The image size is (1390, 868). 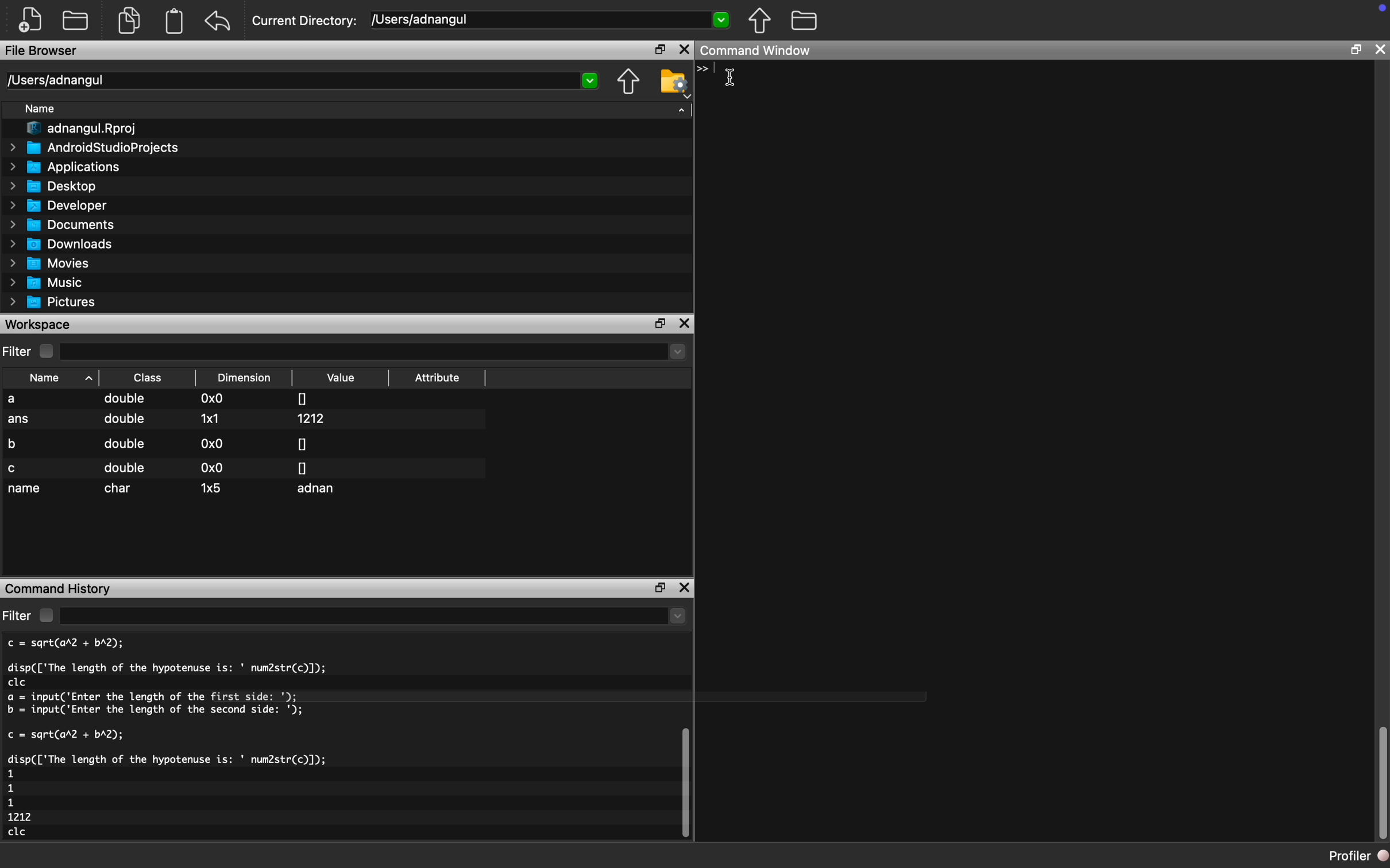 I want to click on c, so click(x=14, y=468).